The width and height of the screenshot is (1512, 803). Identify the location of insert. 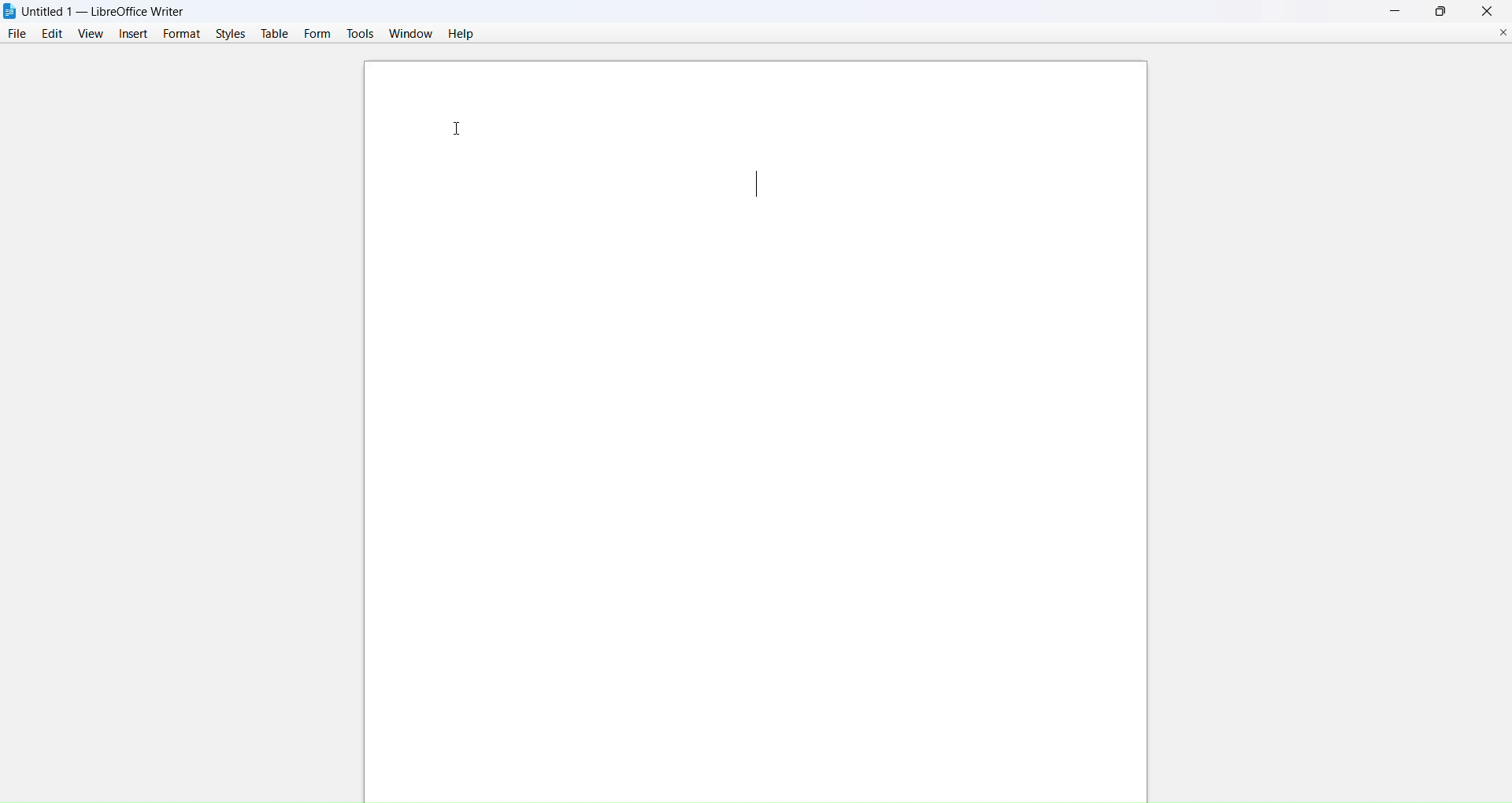
(134, 32).